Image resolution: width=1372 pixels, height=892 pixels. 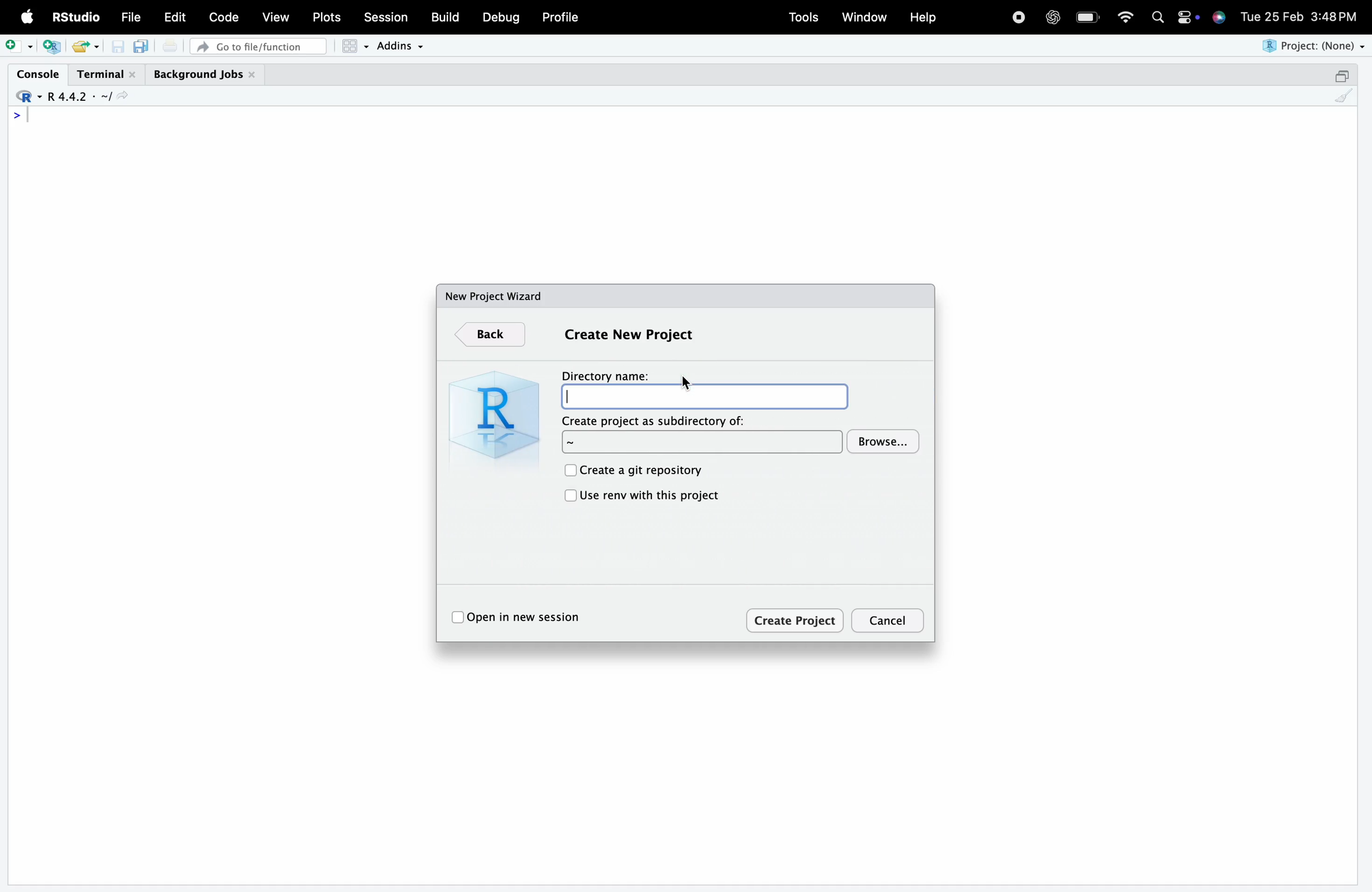 What do you see at coordinates (175, 17) in the screenshot?
I see `Edit` at bounding box center [175, 17].